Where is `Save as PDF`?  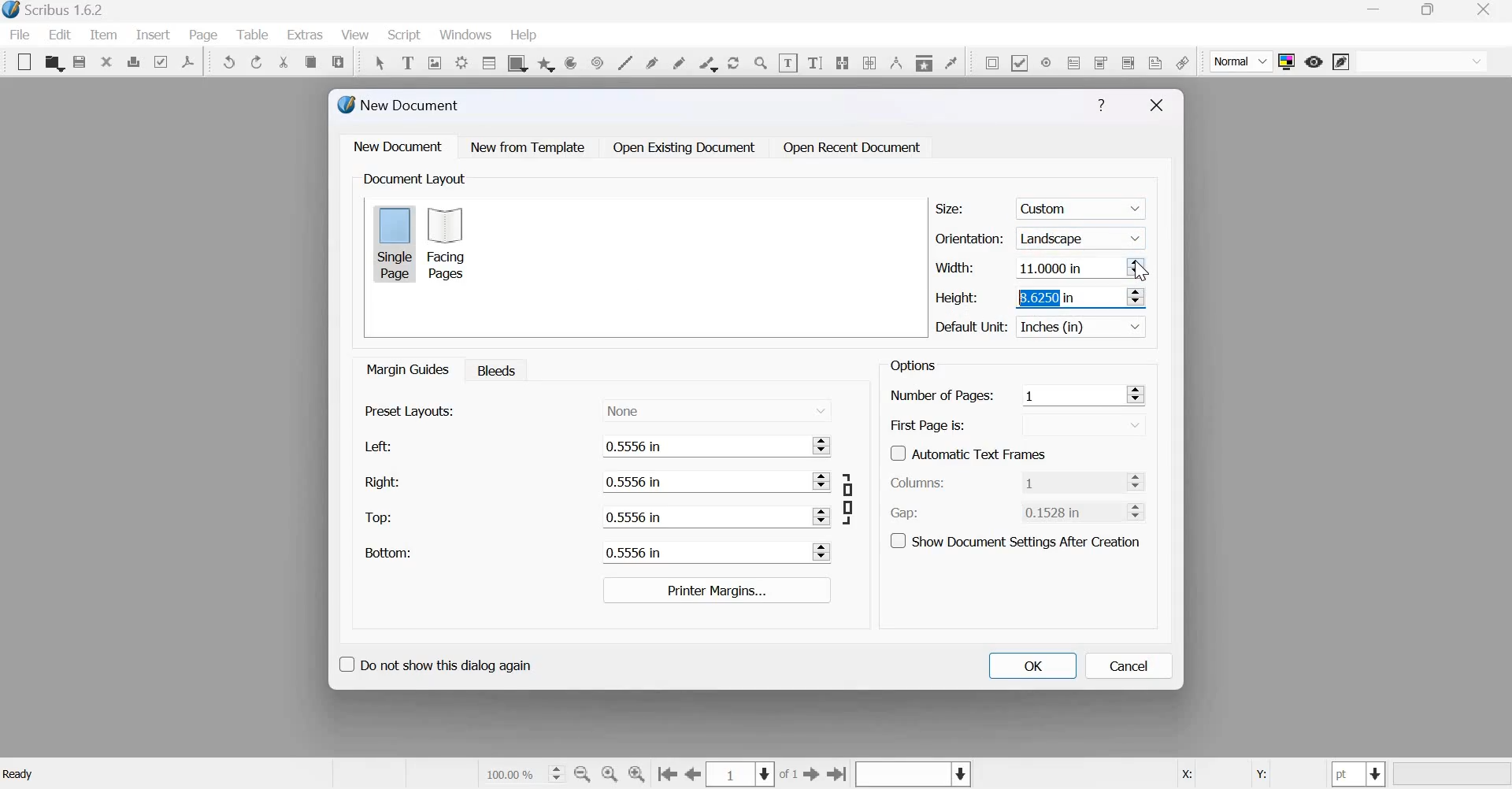
Save as PDF is located at coordinates (189, 61).